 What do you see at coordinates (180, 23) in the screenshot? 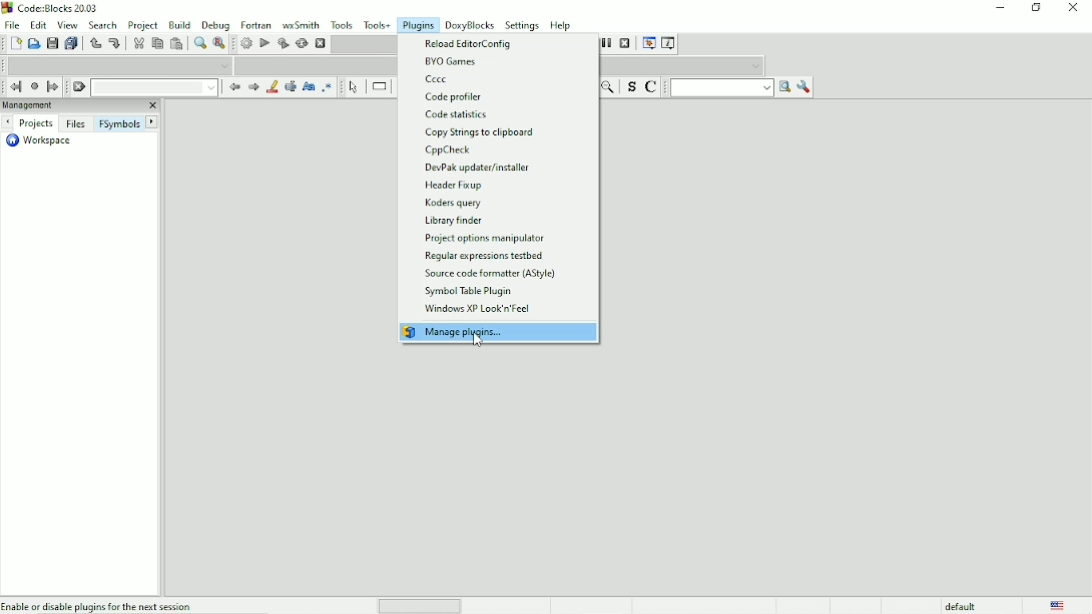
I see `Build` at bounding box center [180, 23].